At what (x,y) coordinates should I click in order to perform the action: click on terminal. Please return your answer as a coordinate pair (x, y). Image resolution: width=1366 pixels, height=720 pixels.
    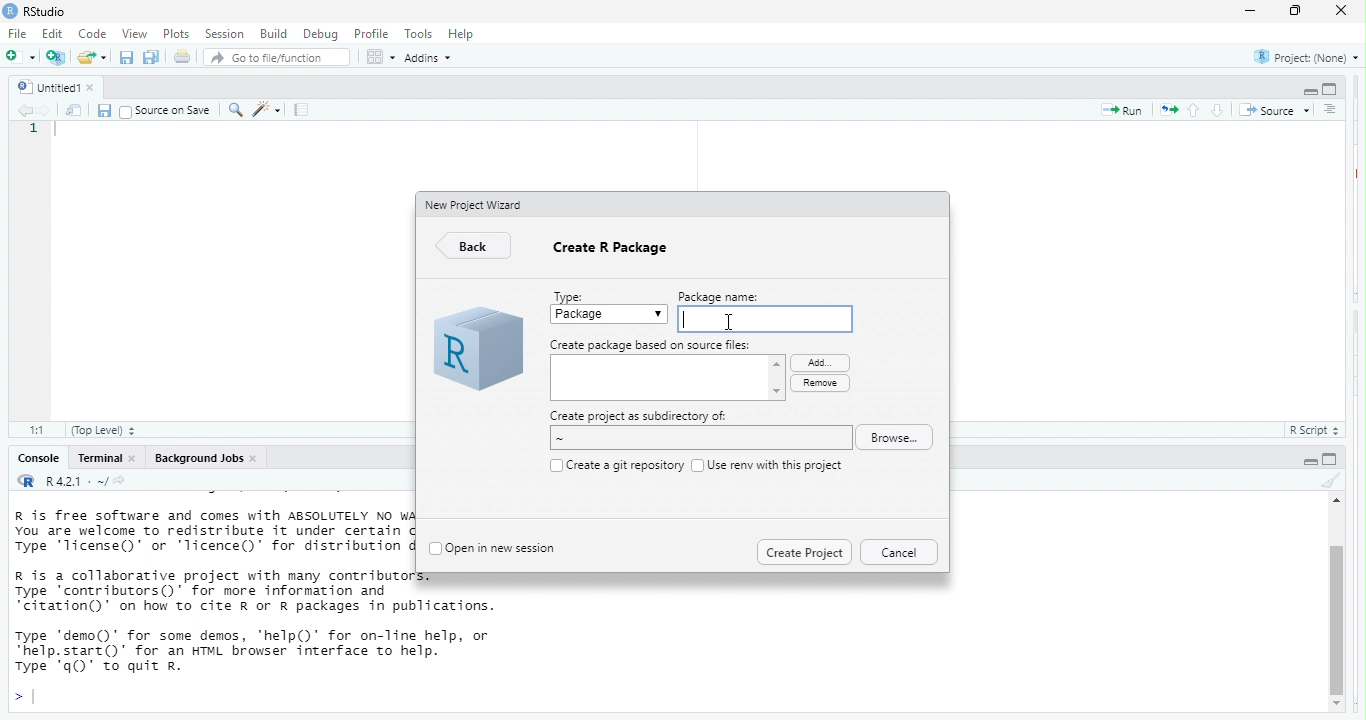
    Looking at the image, I should click on (100, 459).